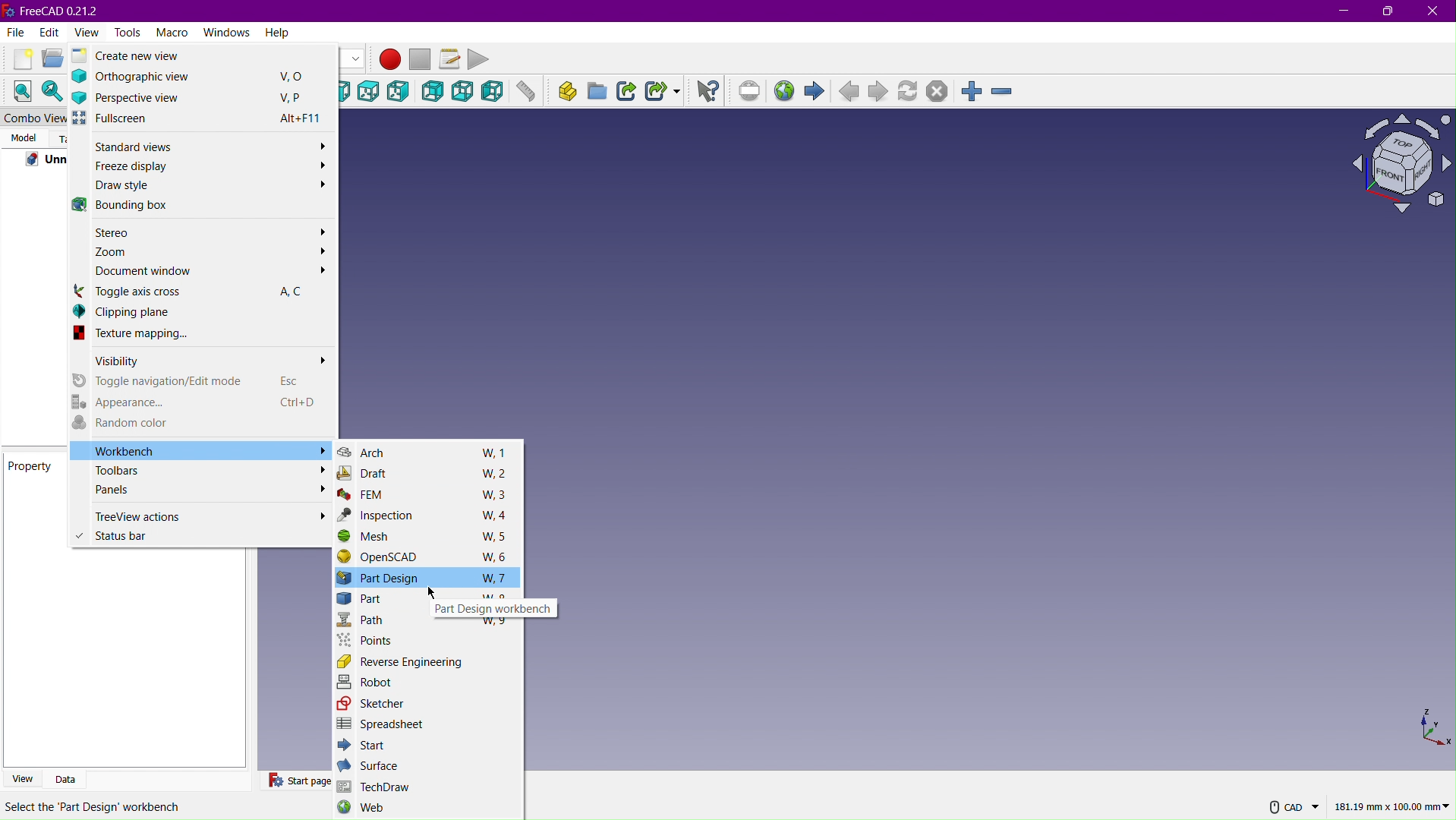 This screenshot has height=820, width=1456. I want to click on Select the 'part design' workbench, so click(93, 806).